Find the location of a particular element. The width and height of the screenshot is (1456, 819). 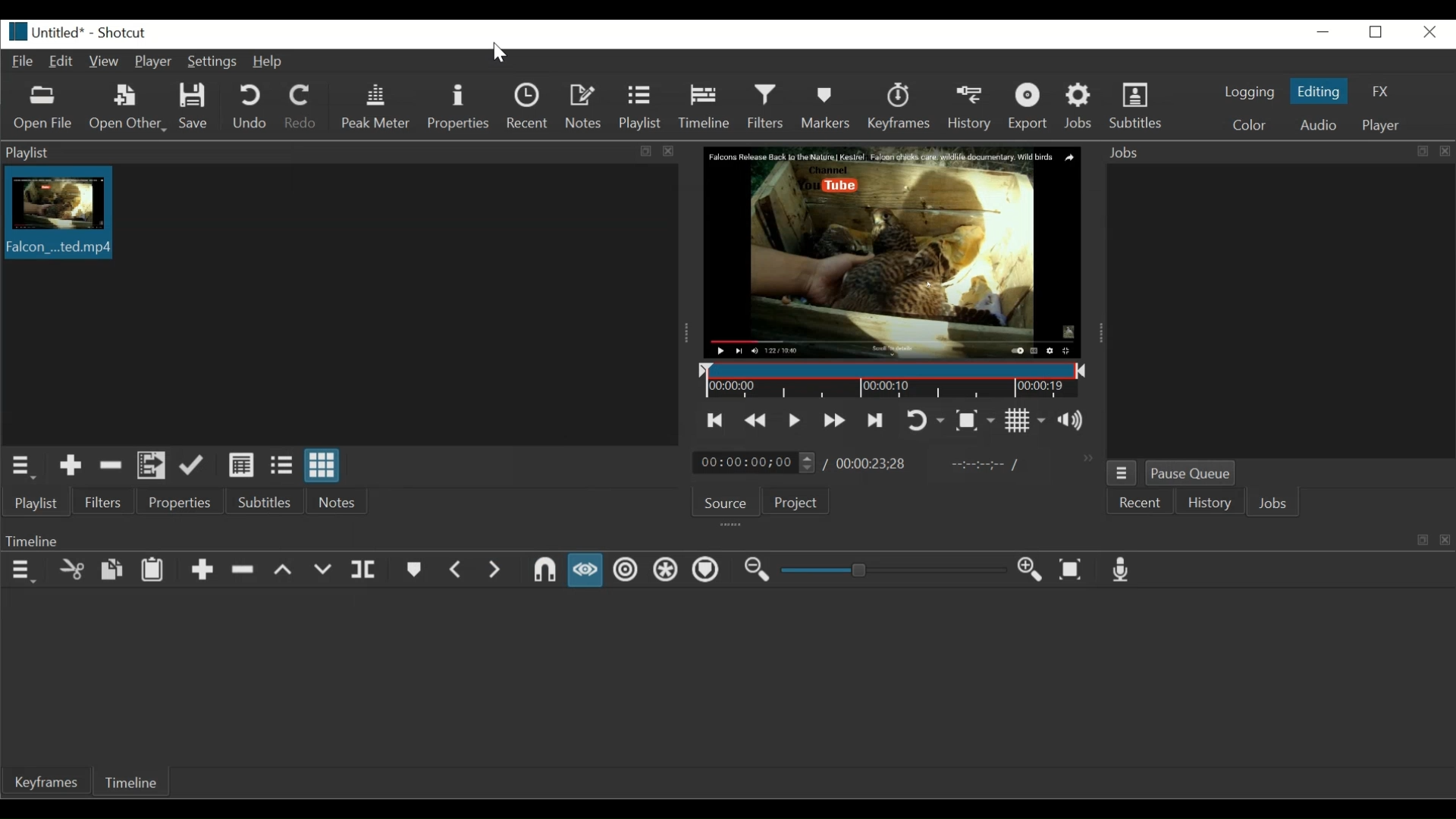

Jobs is located at coordinates (1271, 503).